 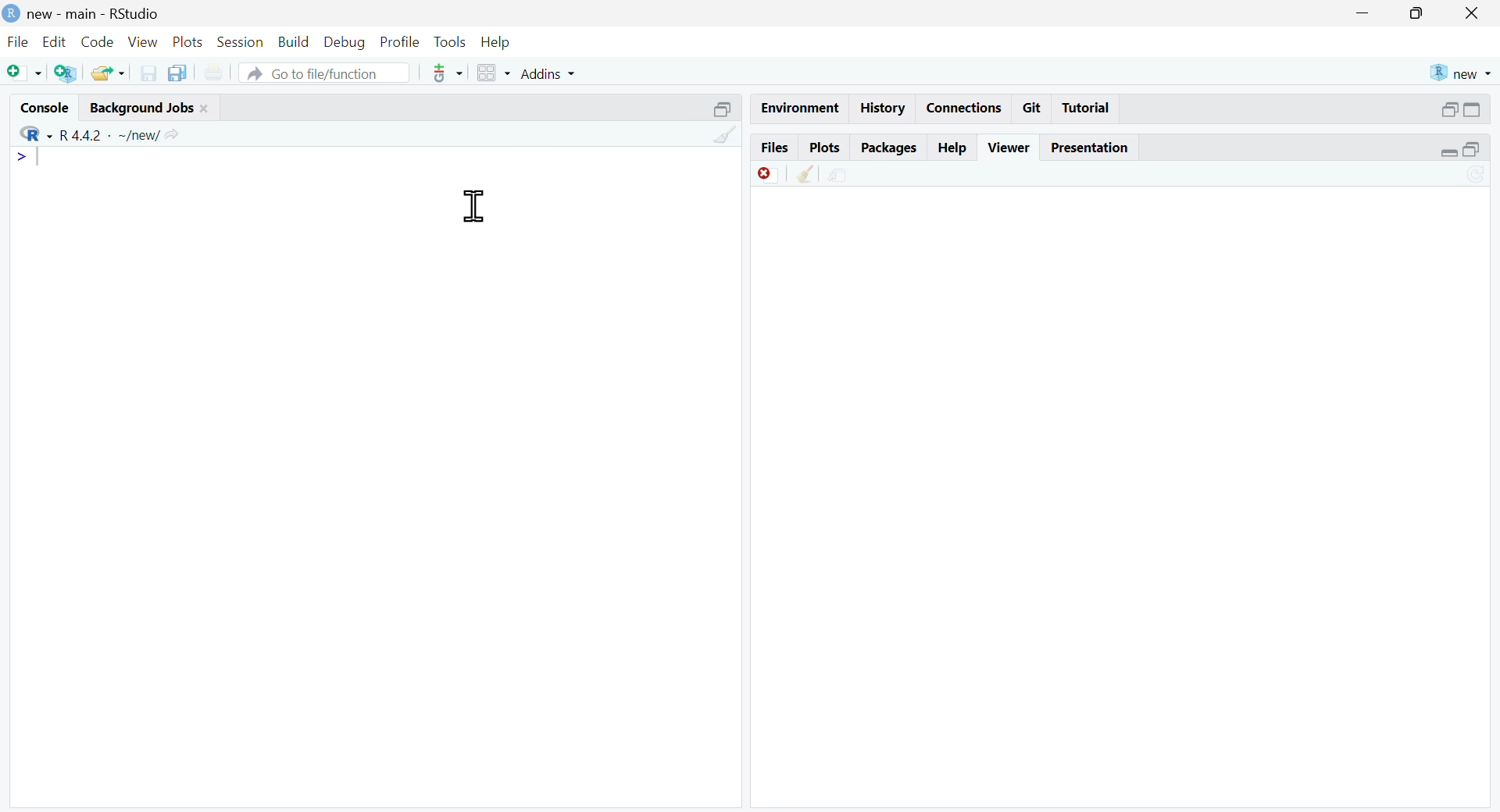 I want to click on open in separate window, so click(x=1471, y=149).